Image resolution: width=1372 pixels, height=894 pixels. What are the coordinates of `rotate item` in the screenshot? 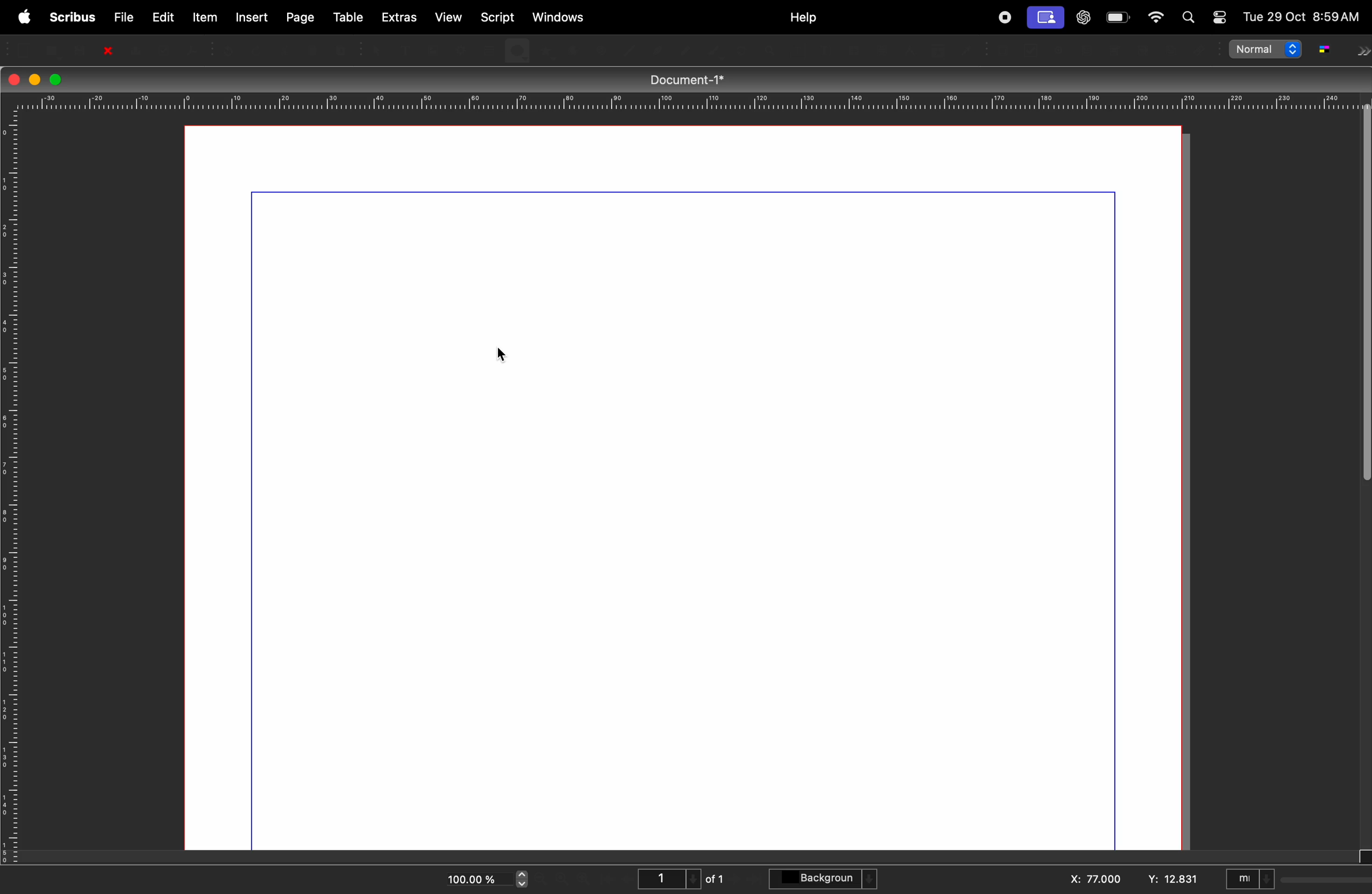 It's located at (742, 51).